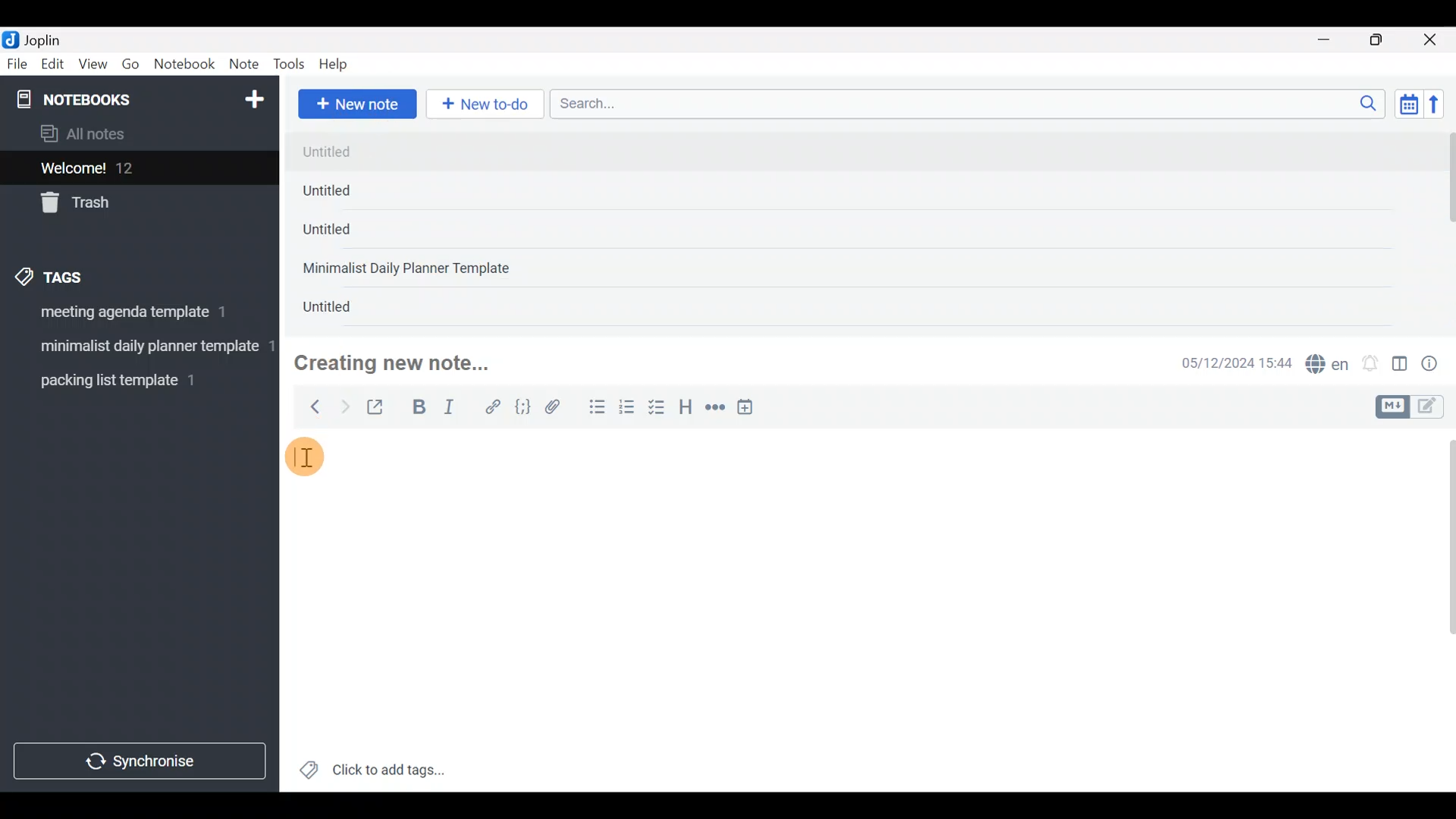  What do you see at coordinates (400, 365) in the screenshot?
I see `Creating new note...` at bounding box center [400, 365].